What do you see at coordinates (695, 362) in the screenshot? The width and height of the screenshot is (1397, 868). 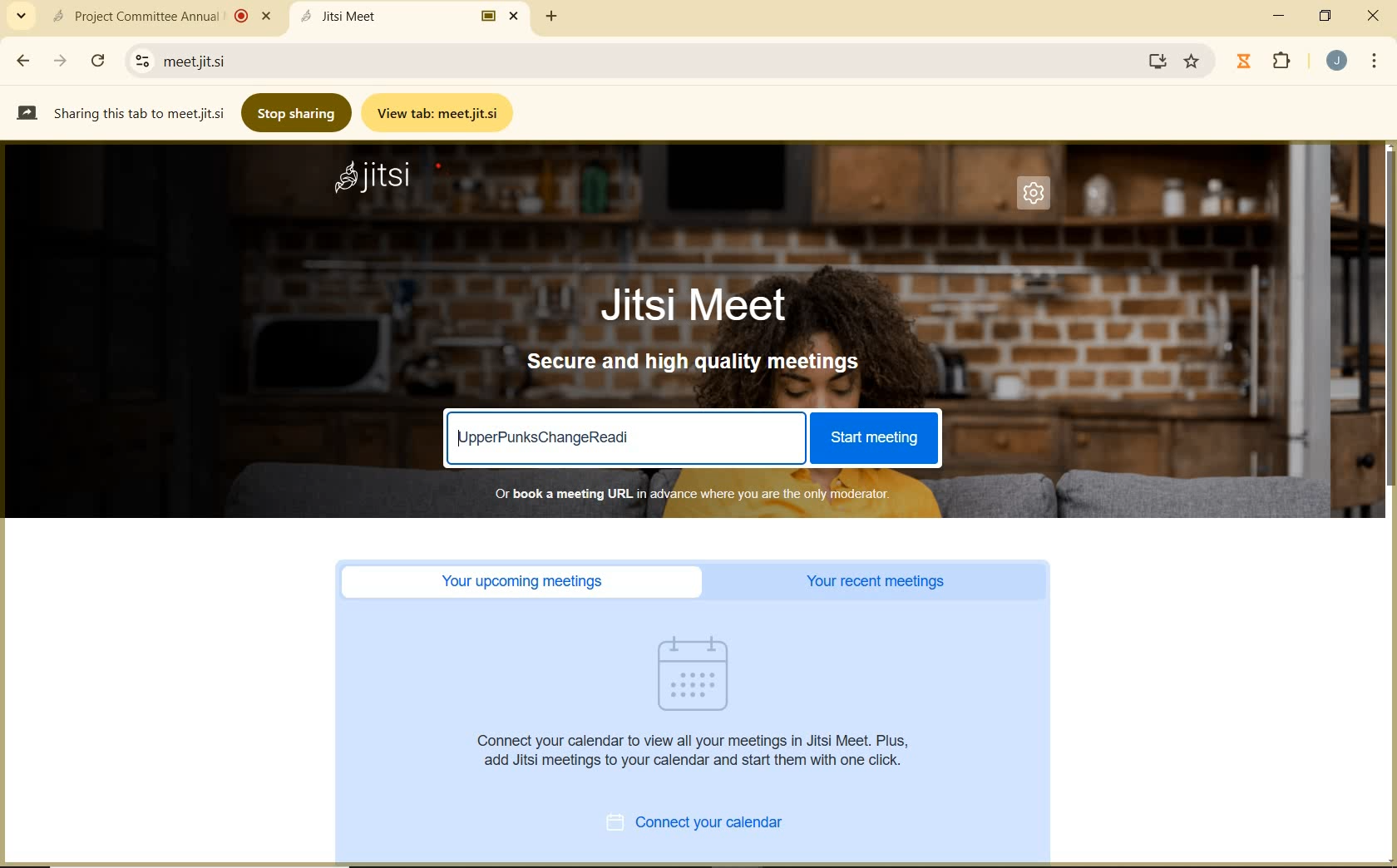 I see `SECURE AND HIGH QUALITY MEETINGS` at bounding box center [695, 362].